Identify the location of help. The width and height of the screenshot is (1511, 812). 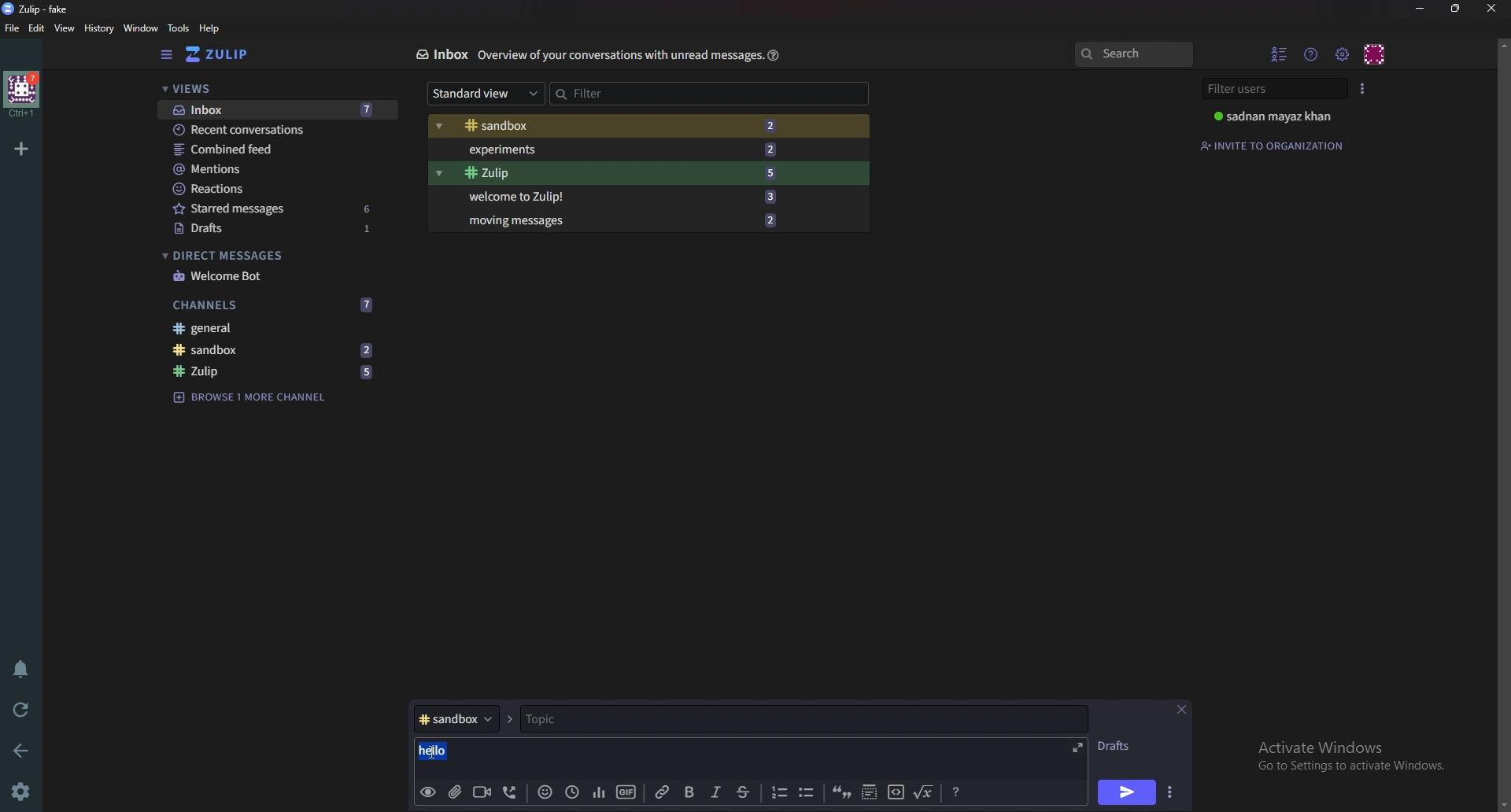
(209, 29).